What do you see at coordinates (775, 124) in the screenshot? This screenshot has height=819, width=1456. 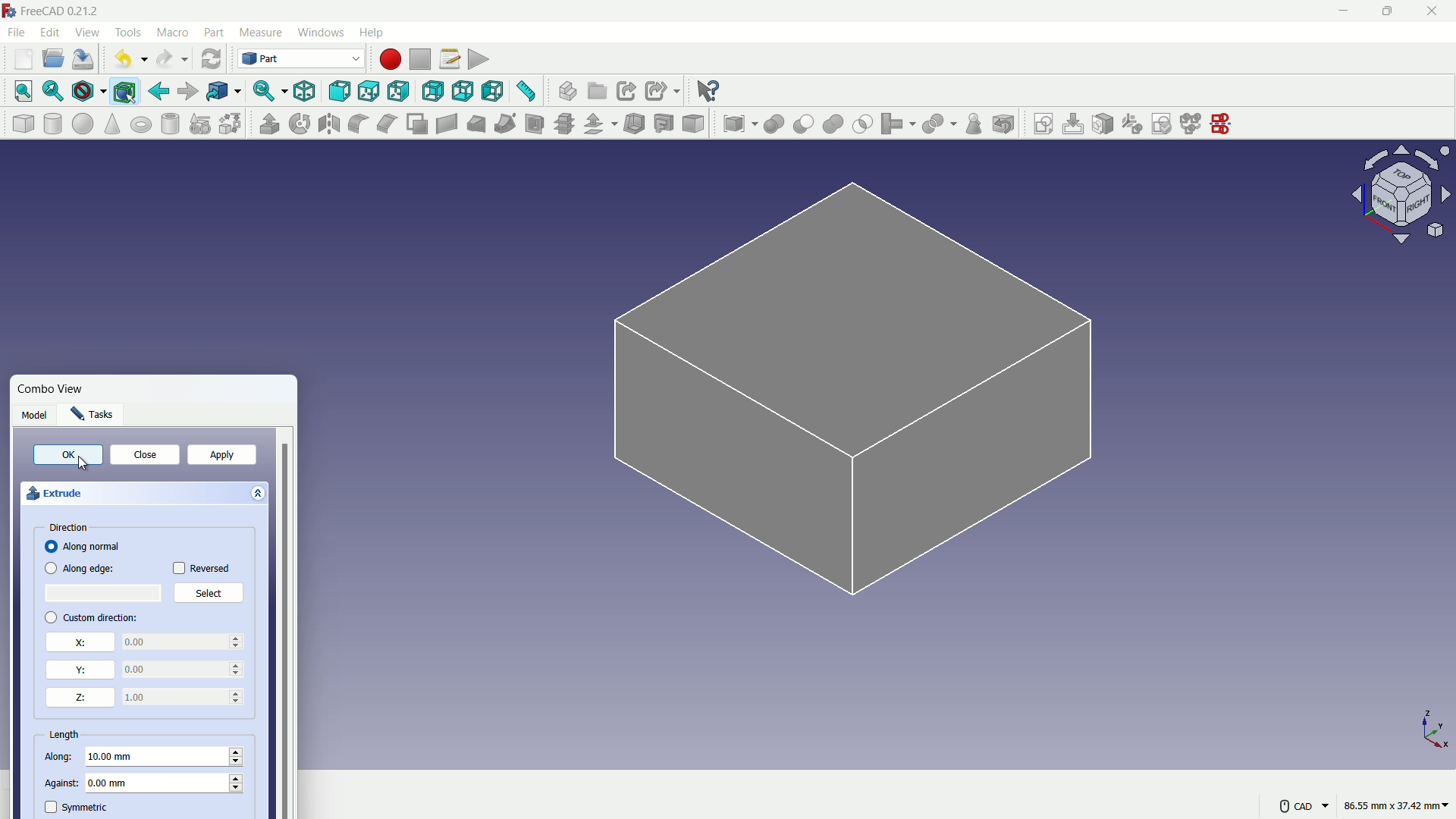 I see `boolean` at bounding box center [775, 124].